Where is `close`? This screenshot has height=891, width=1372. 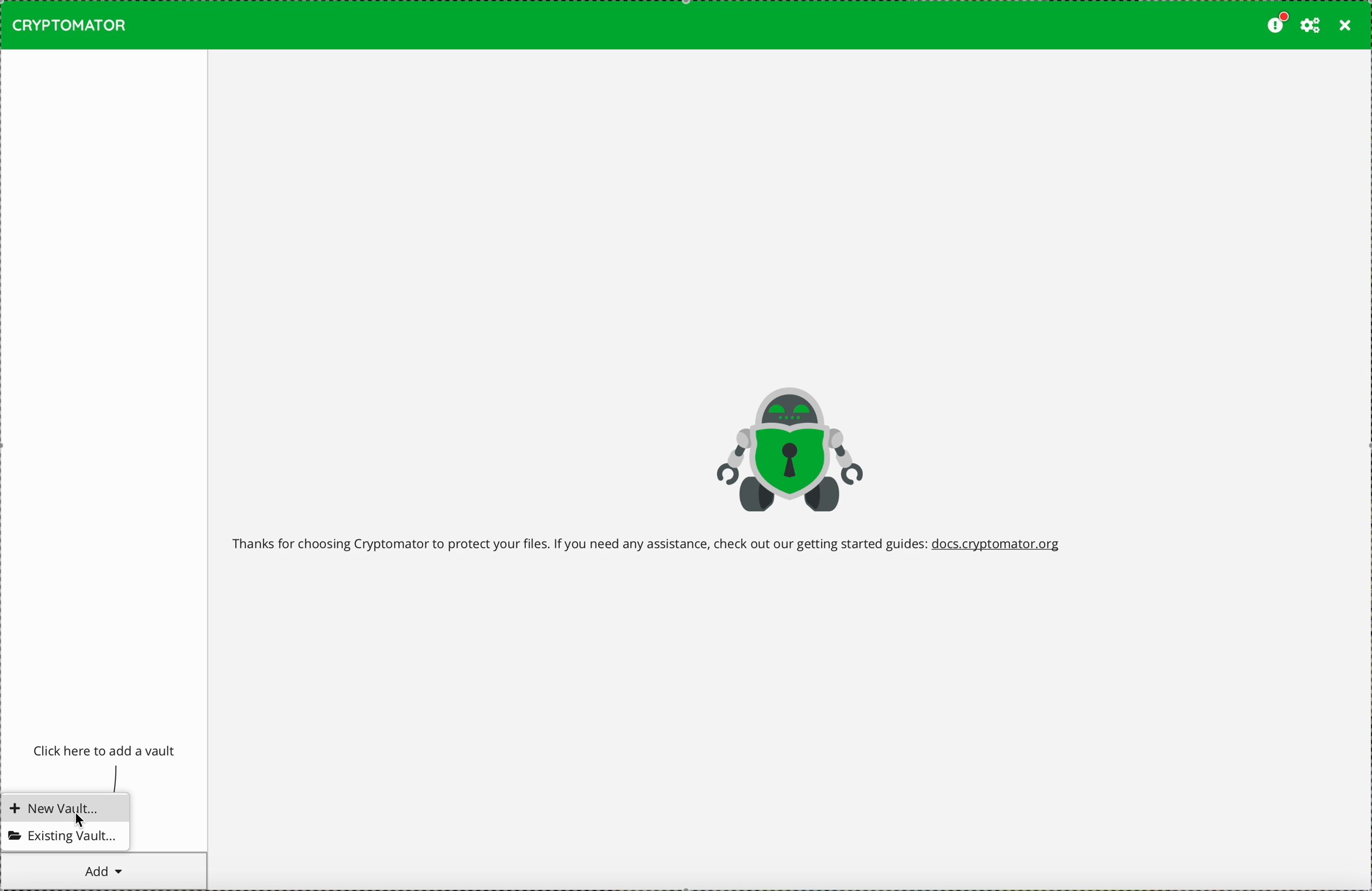 close is located at coordinates (1345, 26).